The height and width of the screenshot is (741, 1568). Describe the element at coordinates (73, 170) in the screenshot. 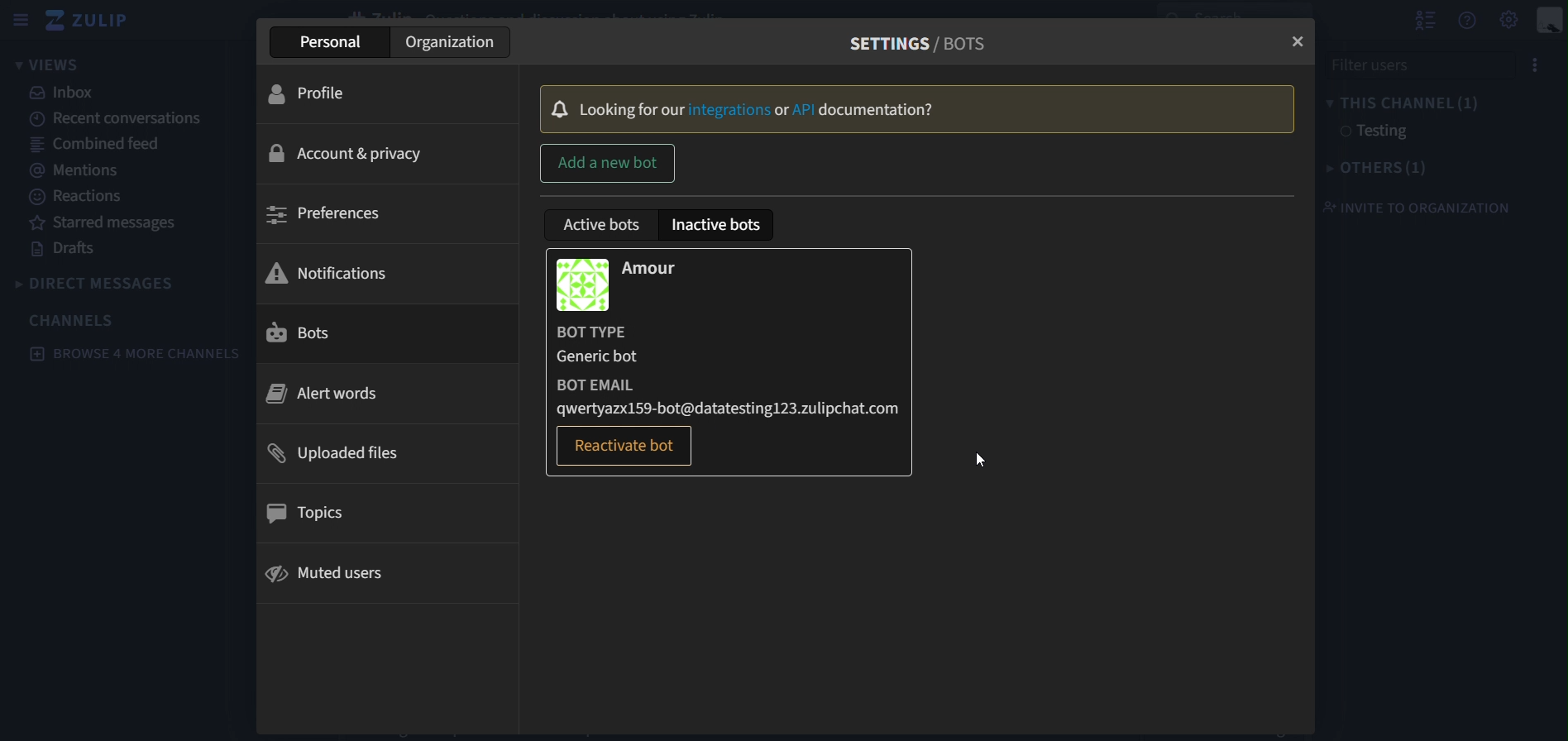

I see `mentions` at that location.